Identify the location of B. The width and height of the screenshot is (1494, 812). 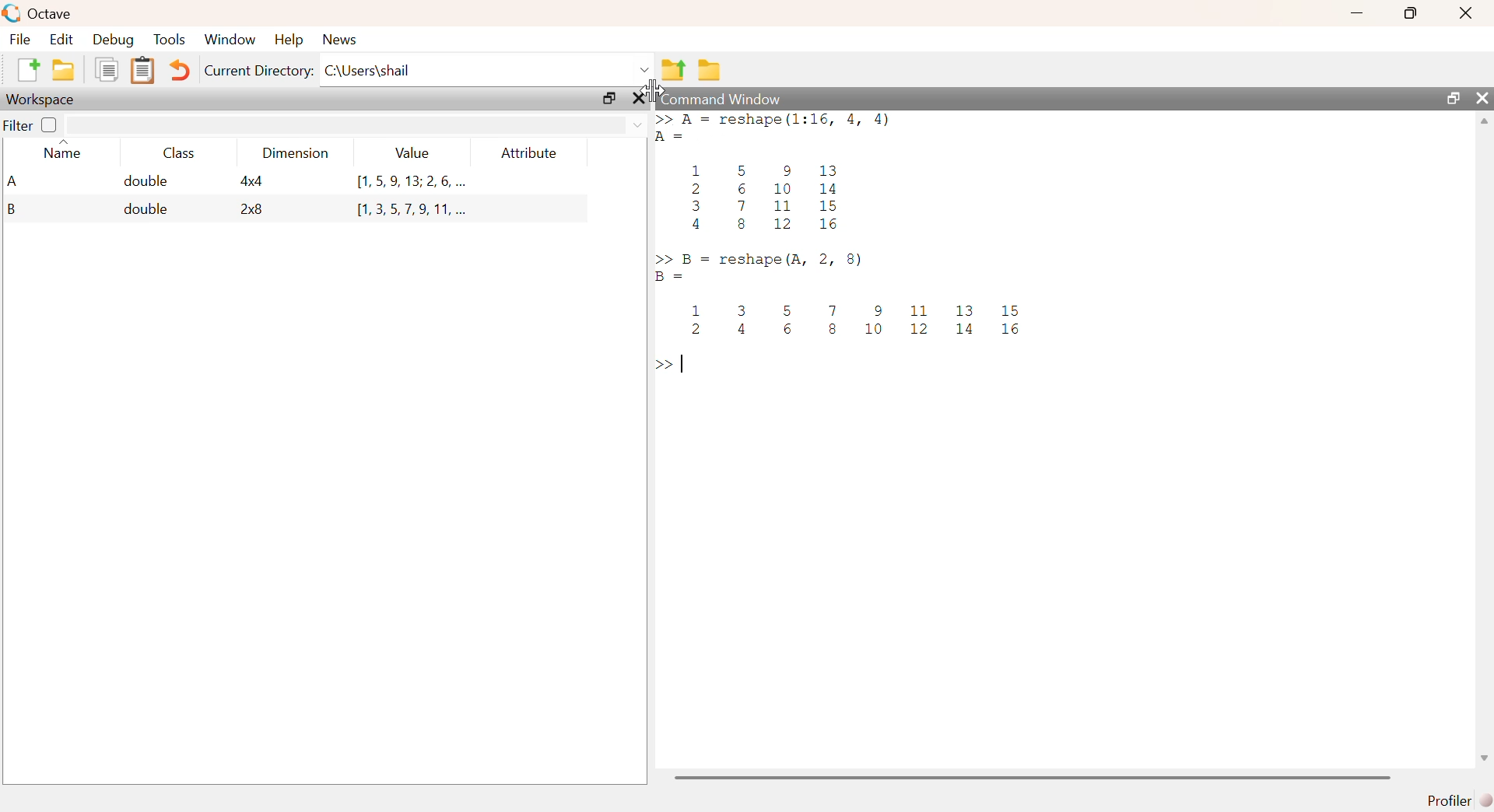
(10, 210).